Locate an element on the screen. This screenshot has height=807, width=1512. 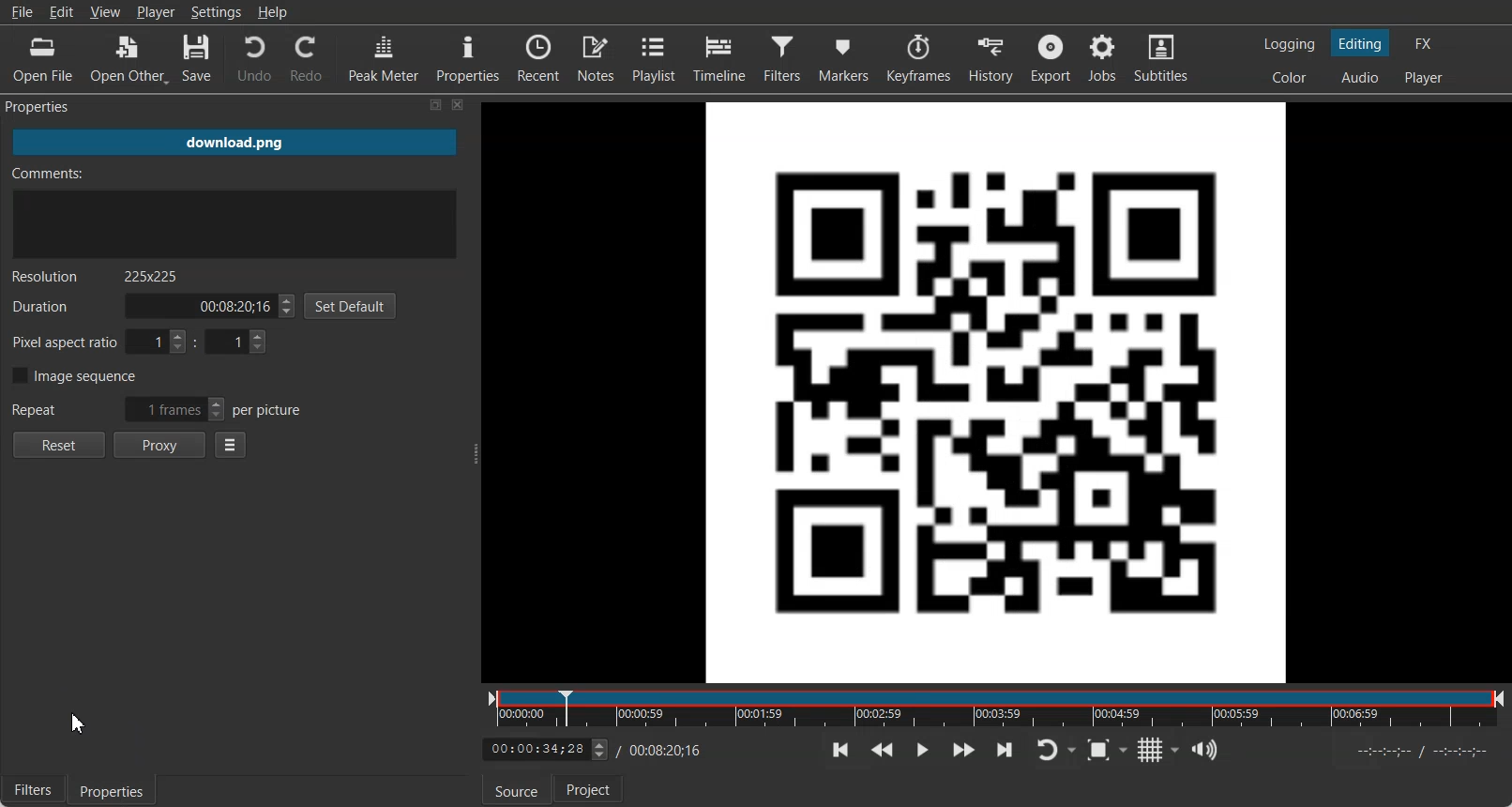
Video Timeline adjuster is located at coordinates (545, 750).